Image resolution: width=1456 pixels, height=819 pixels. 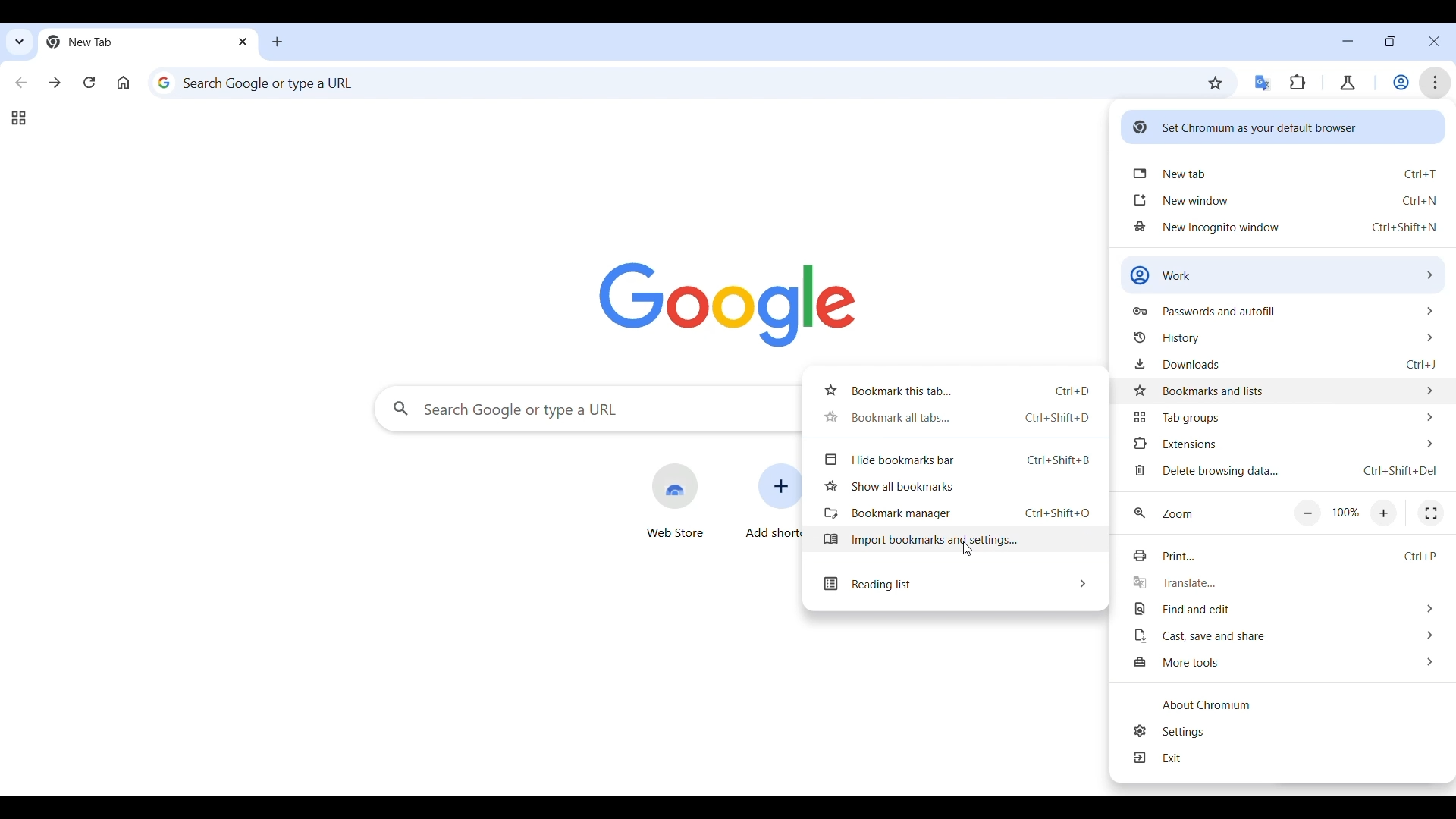 I want to click on Bookmark this tab, so click(x=954, y=391).